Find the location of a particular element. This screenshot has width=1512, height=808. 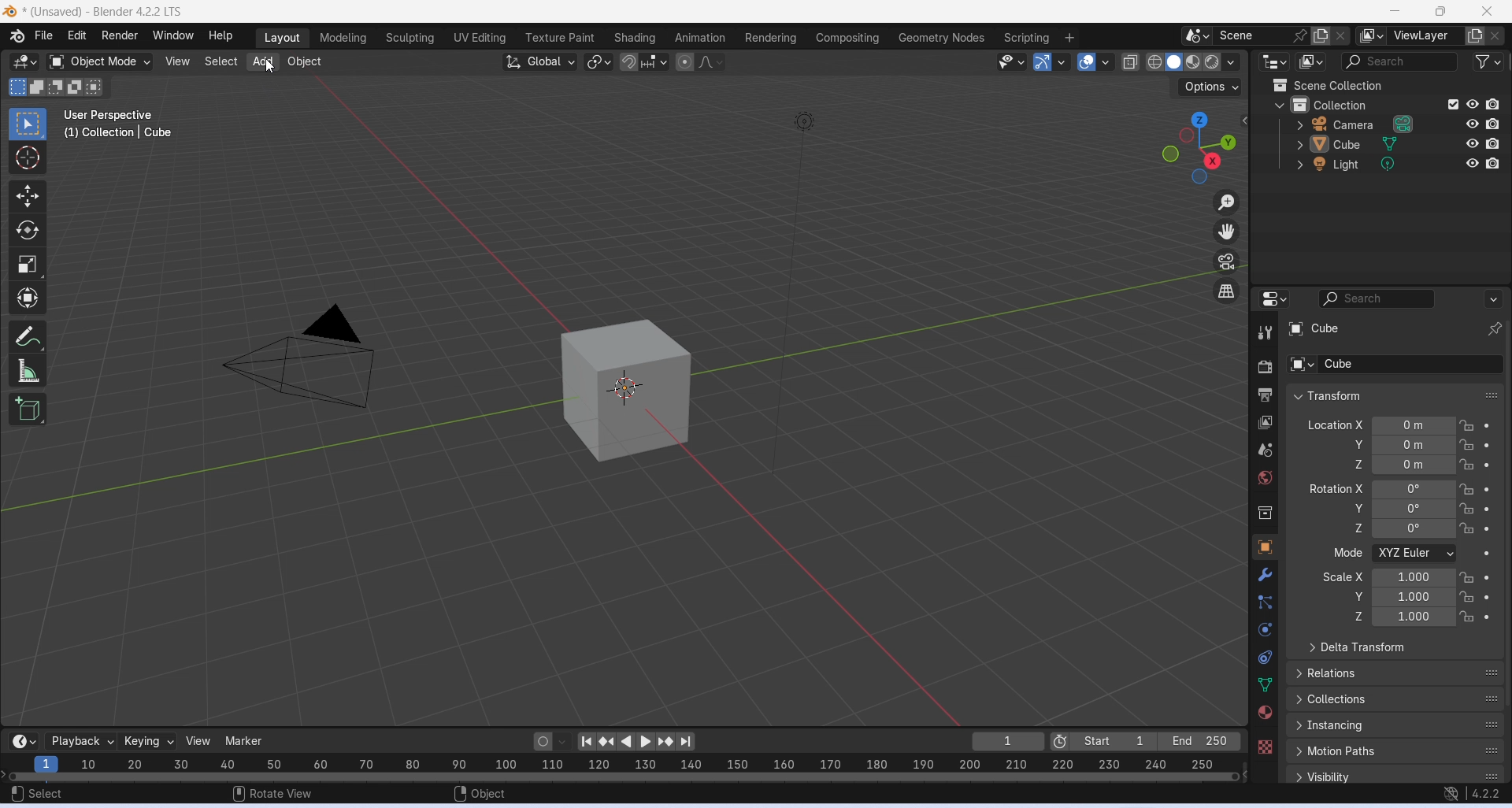

UV editing is located at coordinates (479, 37).